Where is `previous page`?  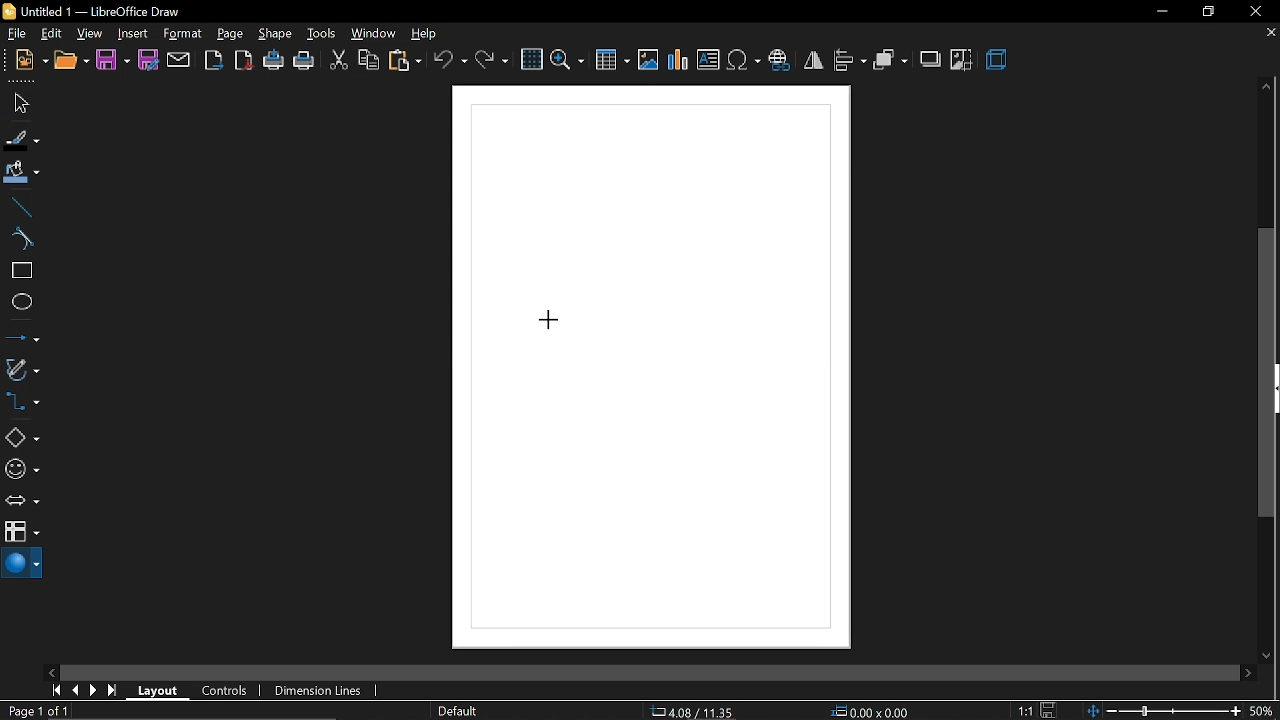 previous page is located at coordinates (77, 690).